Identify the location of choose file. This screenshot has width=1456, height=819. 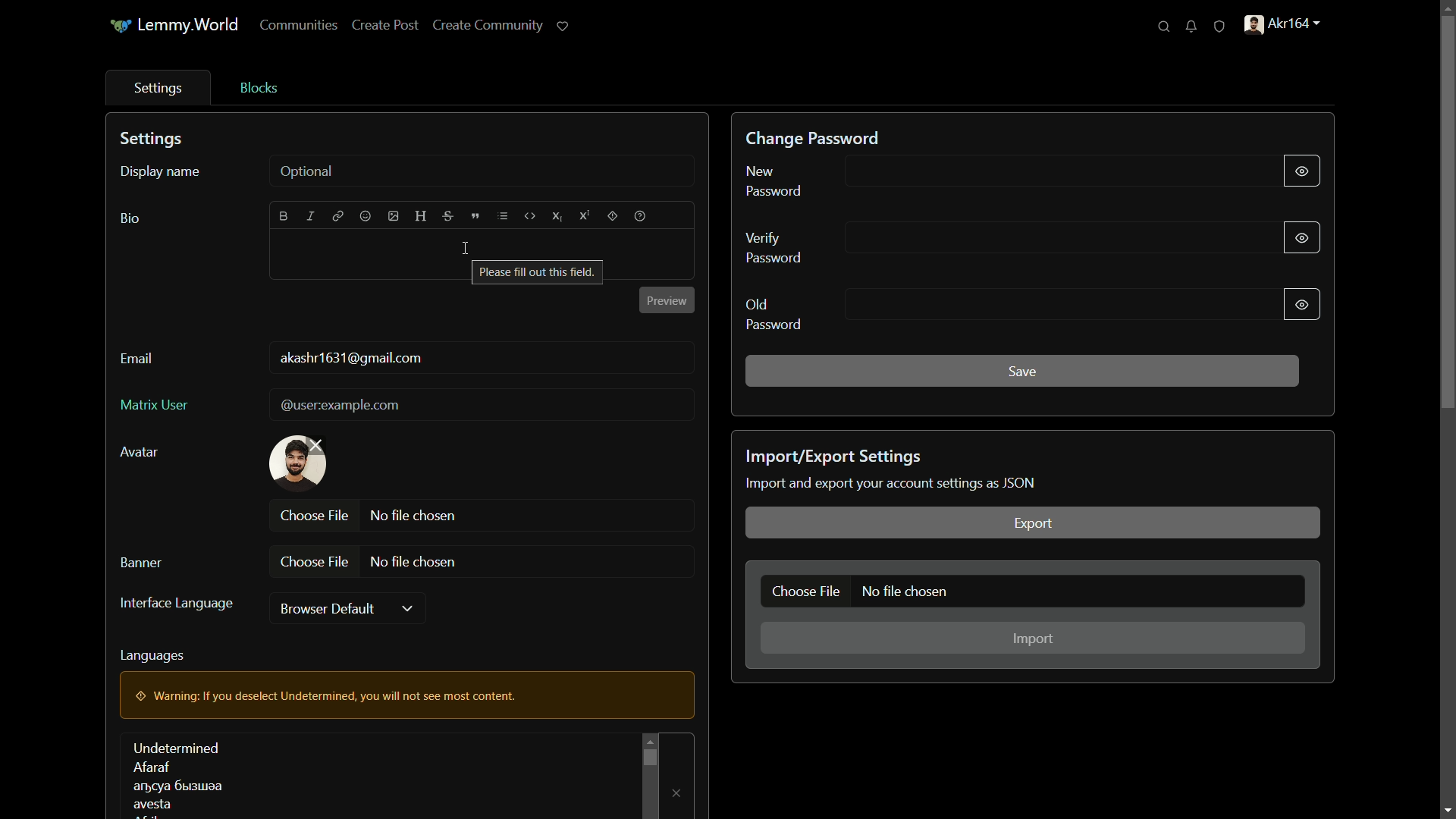
(804, 591).